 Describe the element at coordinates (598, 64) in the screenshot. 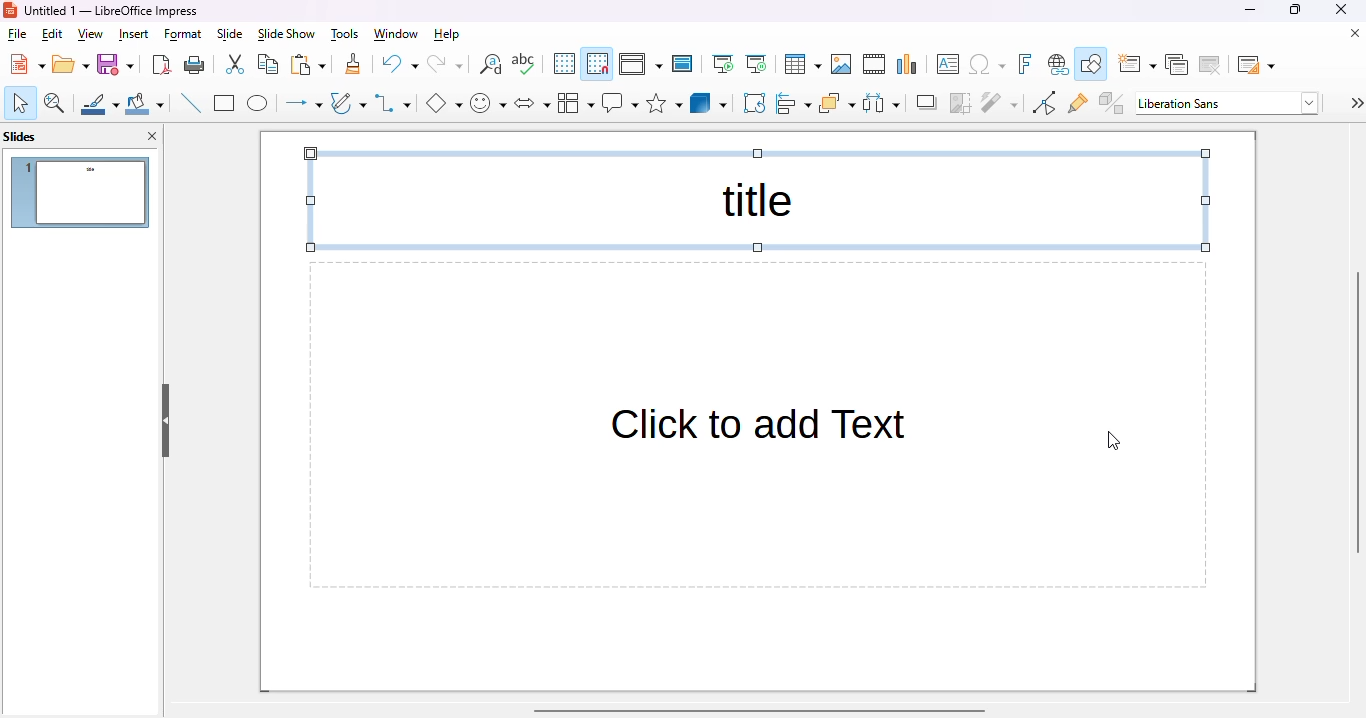

I see `snap to grid` at that location.